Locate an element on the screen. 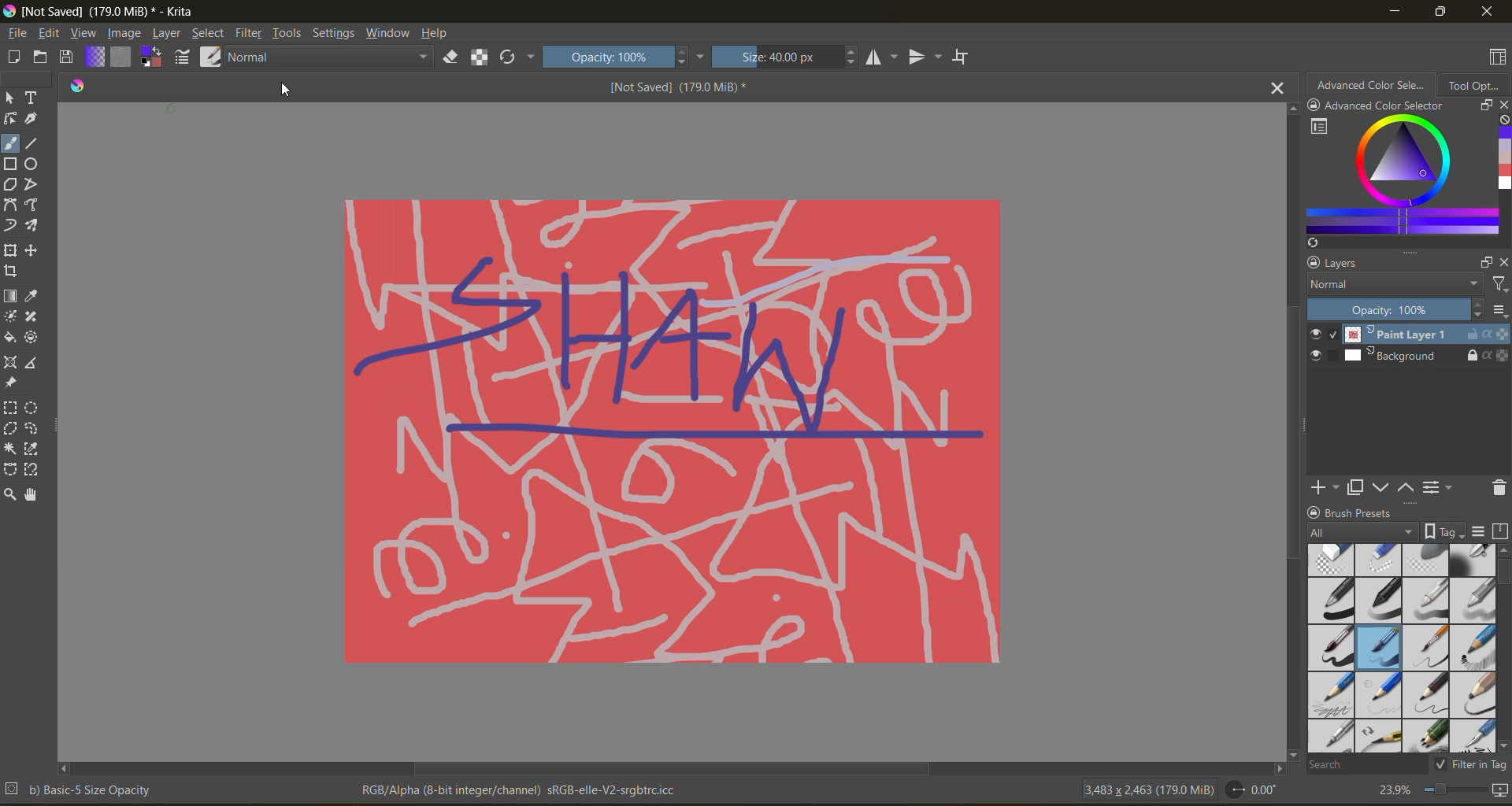  transform a layer is located at coordinates (12, 250).